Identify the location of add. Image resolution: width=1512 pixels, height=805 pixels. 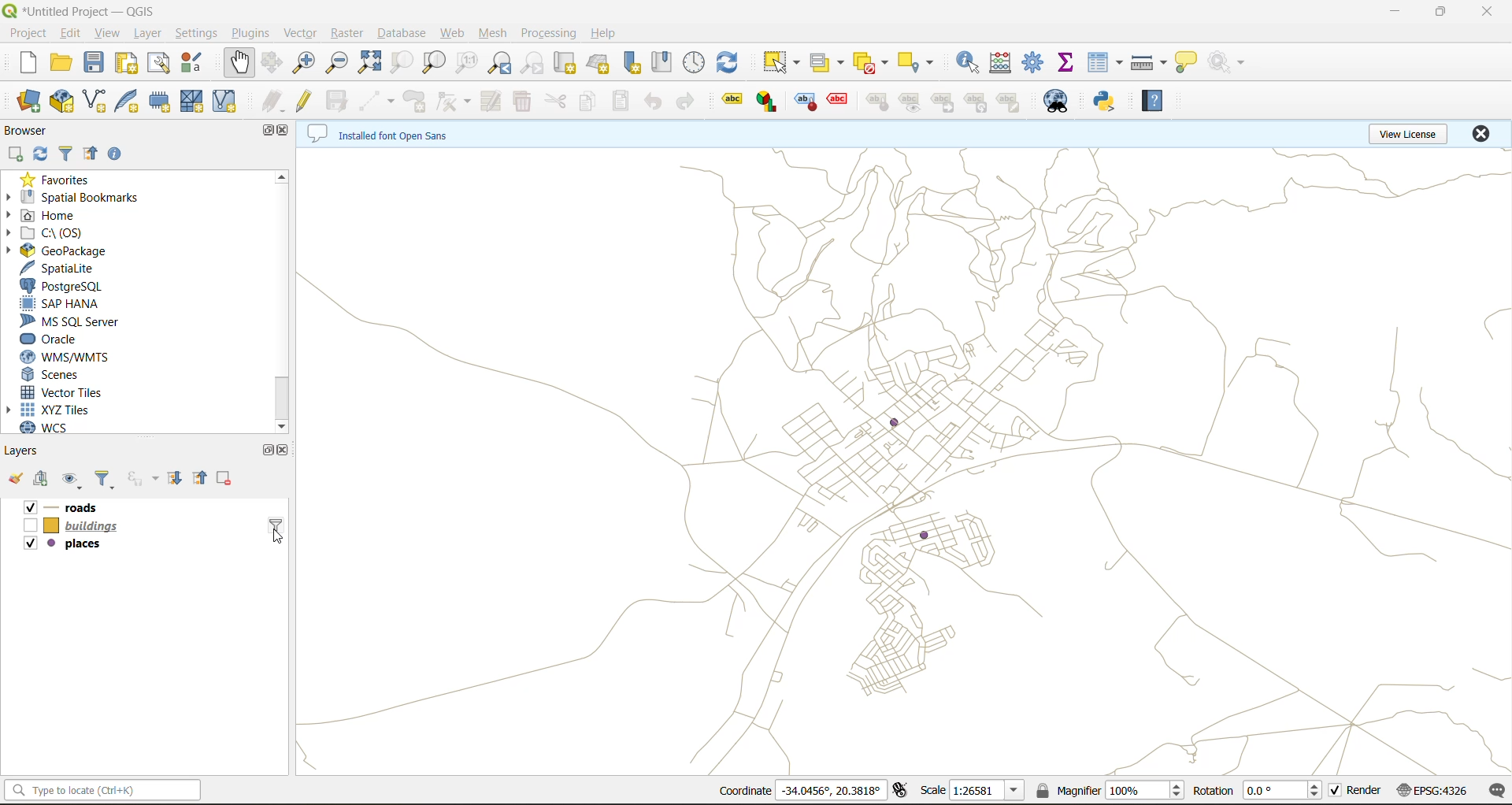
(46, 480).